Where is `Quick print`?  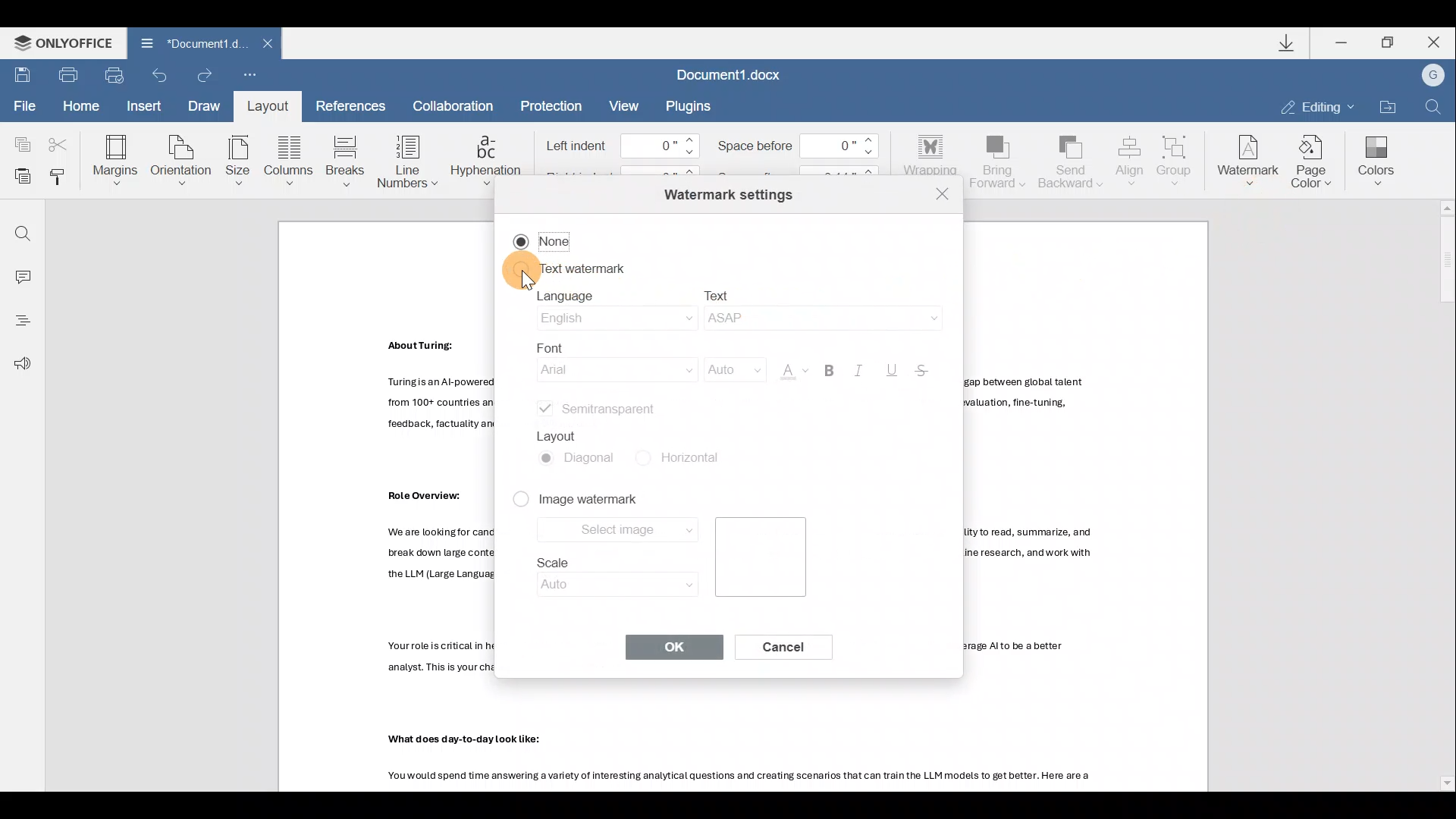
Quick print is located at coordinates (115, 74).